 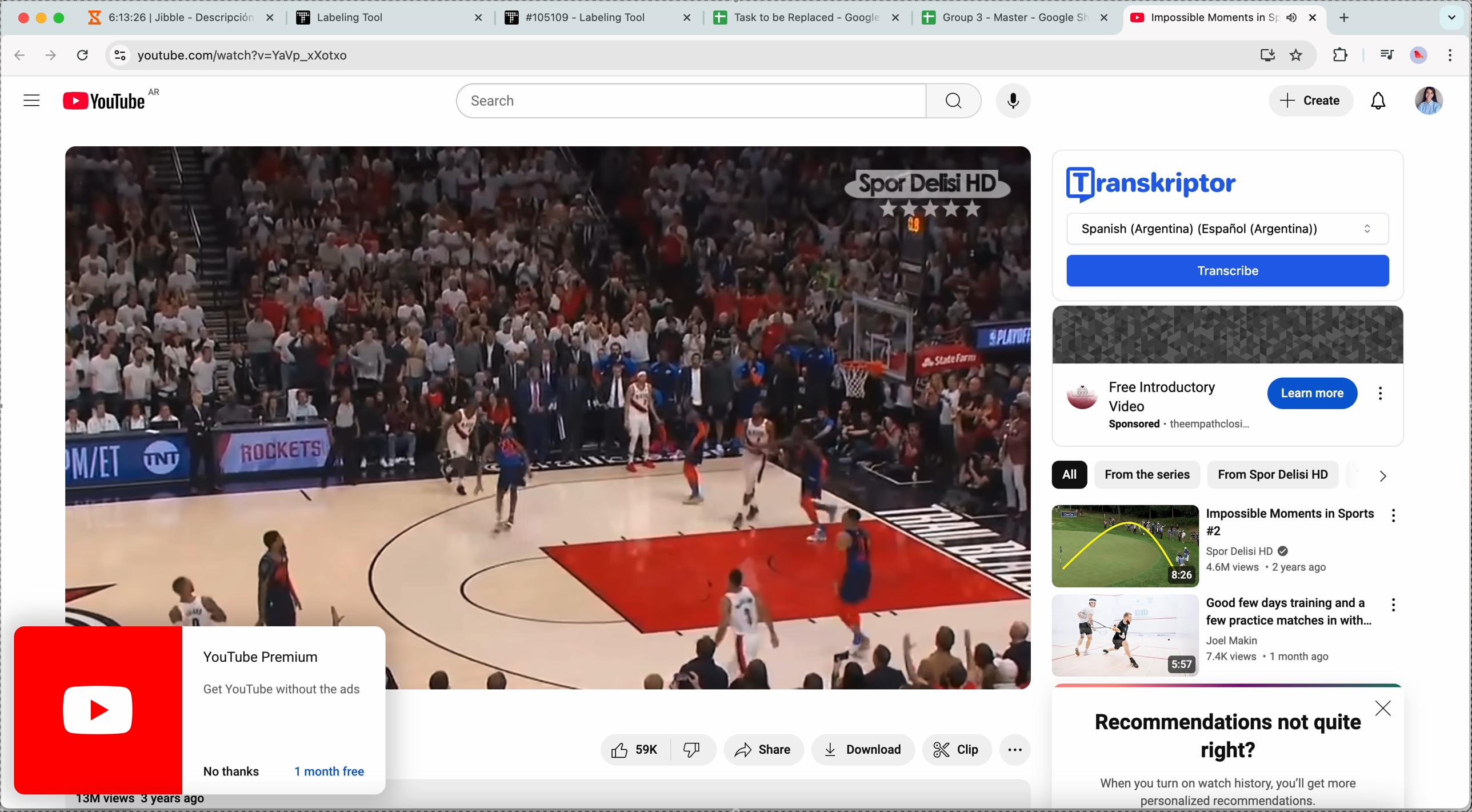 What do you see at coordinates (862, 751) in the screenshot?
I see `download` at bounding box center [862, 751].